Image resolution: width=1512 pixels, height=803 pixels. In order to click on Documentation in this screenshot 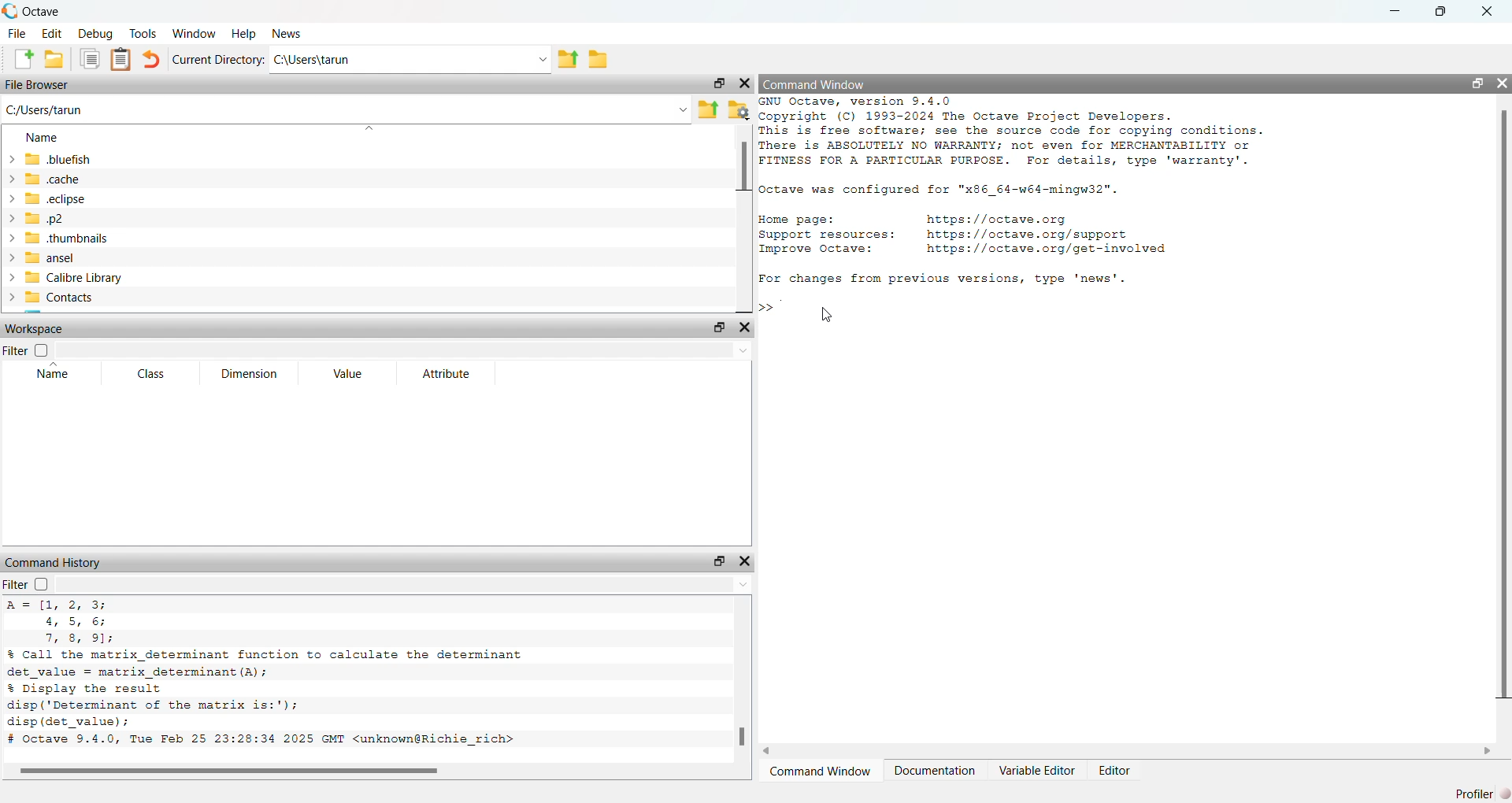, I will do `click(935, 770)`.